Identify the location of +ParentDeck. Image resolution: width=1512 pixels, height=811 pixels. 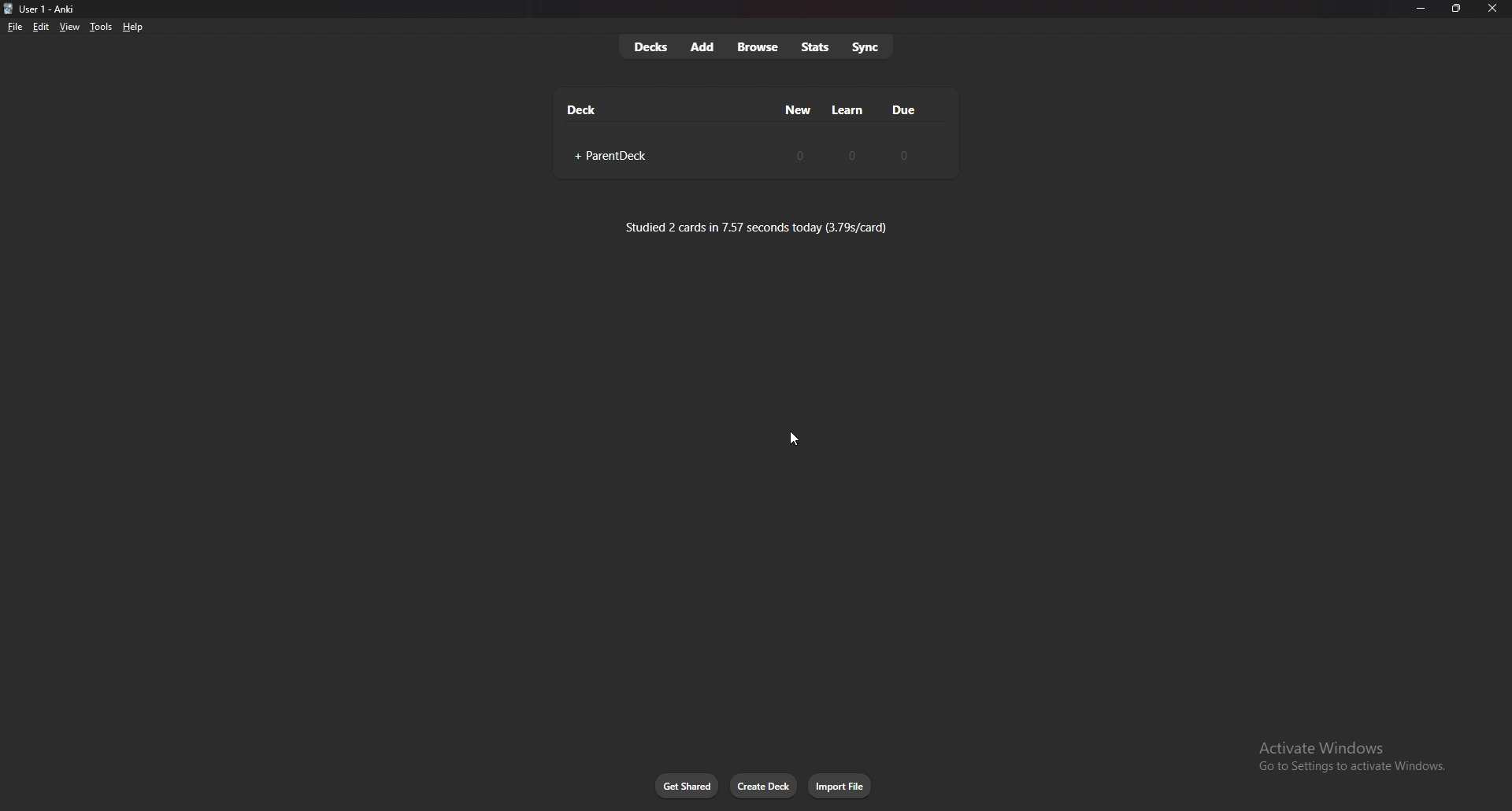
(607, 157).